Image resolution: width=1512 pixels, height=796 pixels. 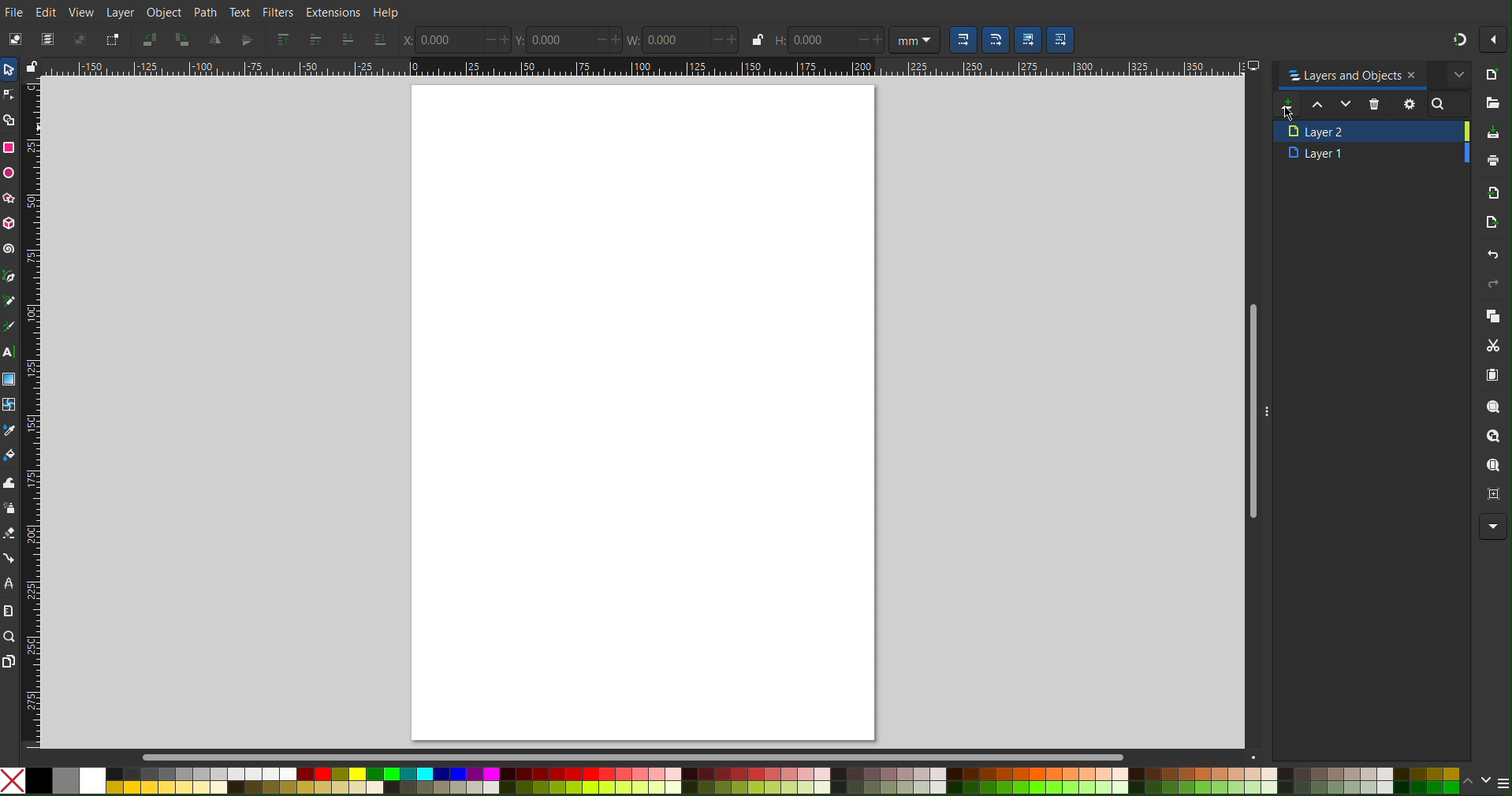 I want to click on Measure Tool, so click(x=13, y=609).